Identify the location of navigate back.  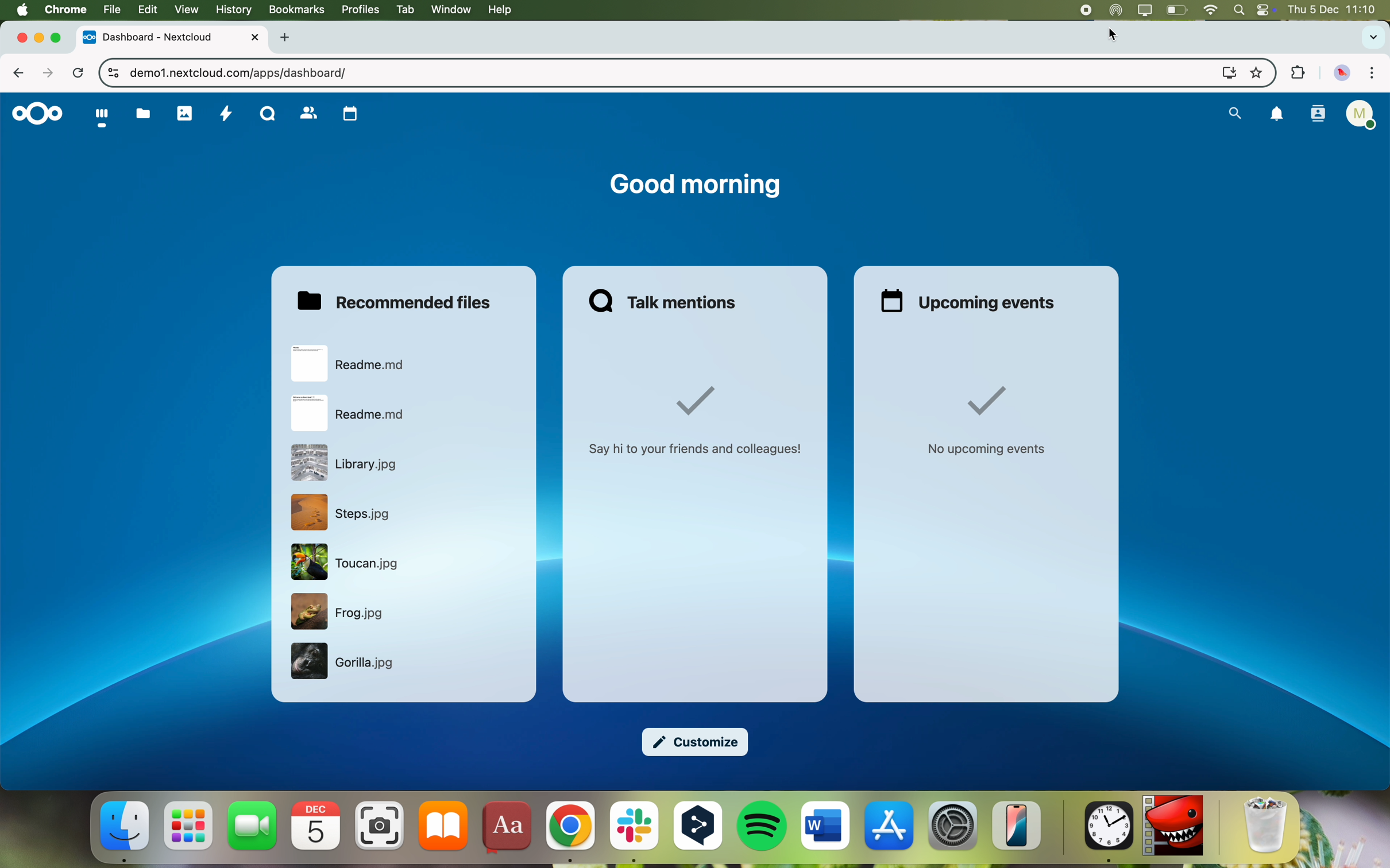
(24, 75).